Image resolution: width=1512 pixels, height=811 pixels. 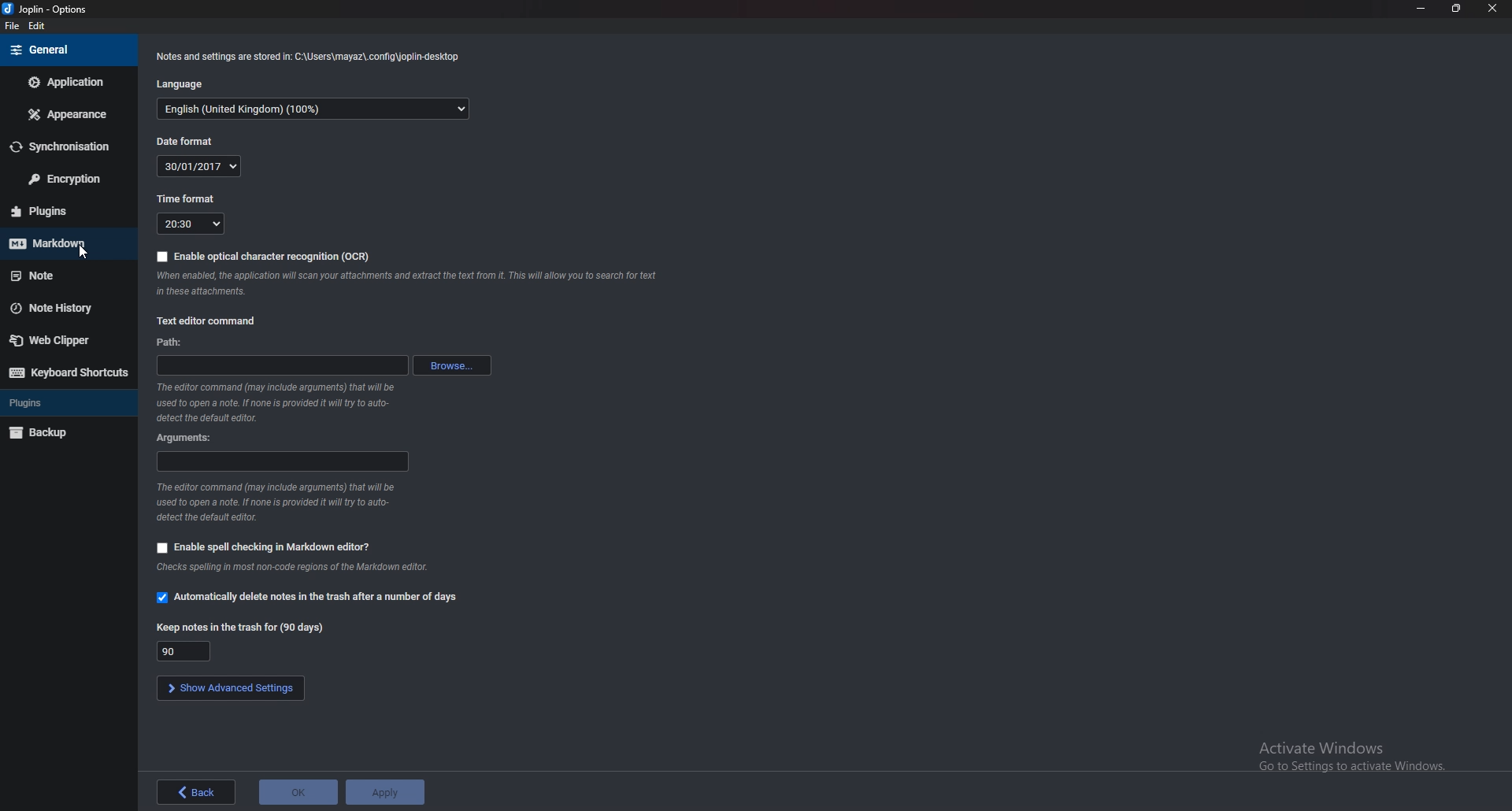 What do you see at coordinates (388, 791) in the screenshot?
I see `apply` at bounding box center [388, 791].